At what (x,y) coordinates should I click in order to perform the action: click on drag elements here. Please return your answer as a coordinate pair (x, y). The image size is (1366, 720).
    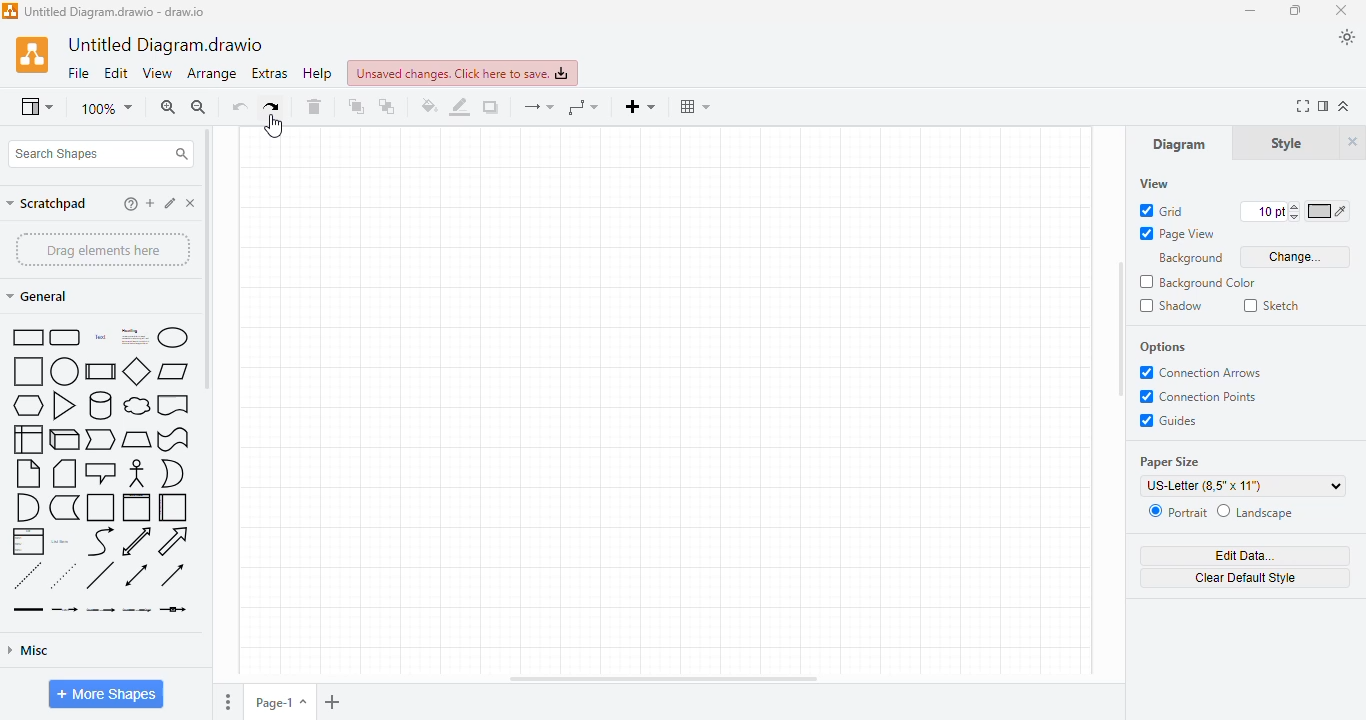
    Looking at the image, I should click on (102, 248).